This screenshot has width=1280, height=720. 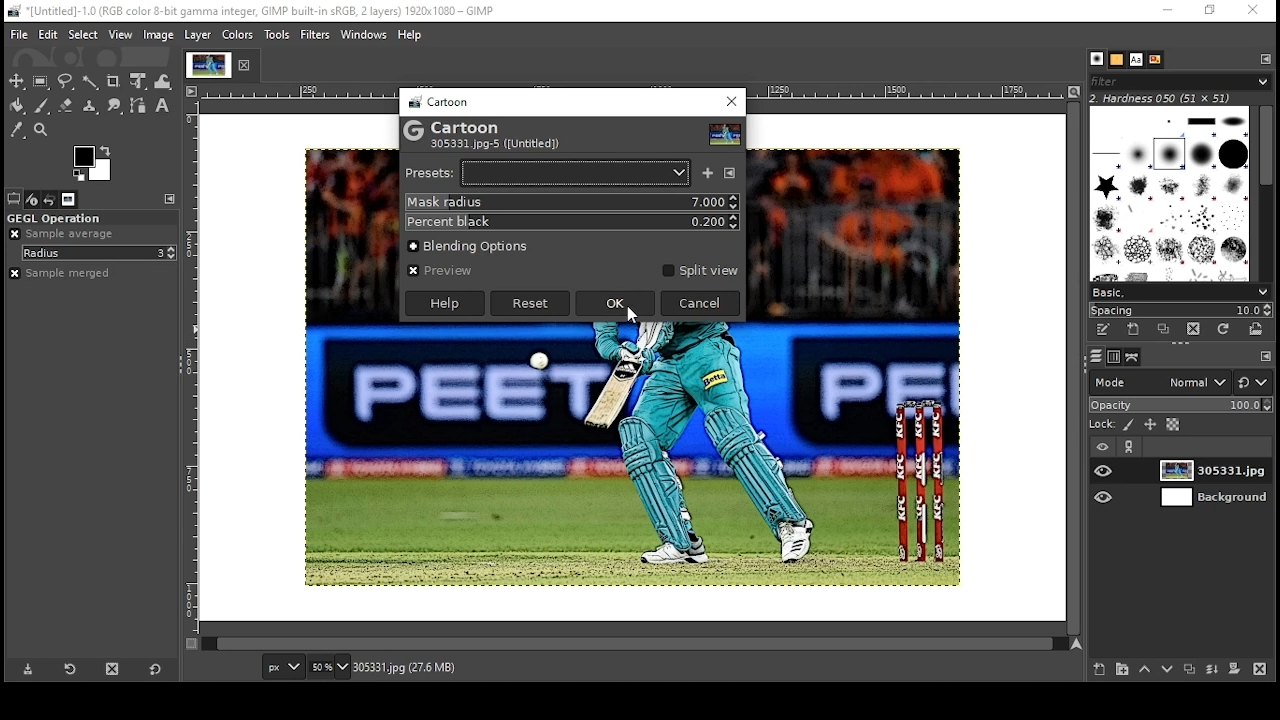 What do you see at coordinates (1175, 98) in the screenshot?
I see `hardness 050` at bounding box center [1175, 98].